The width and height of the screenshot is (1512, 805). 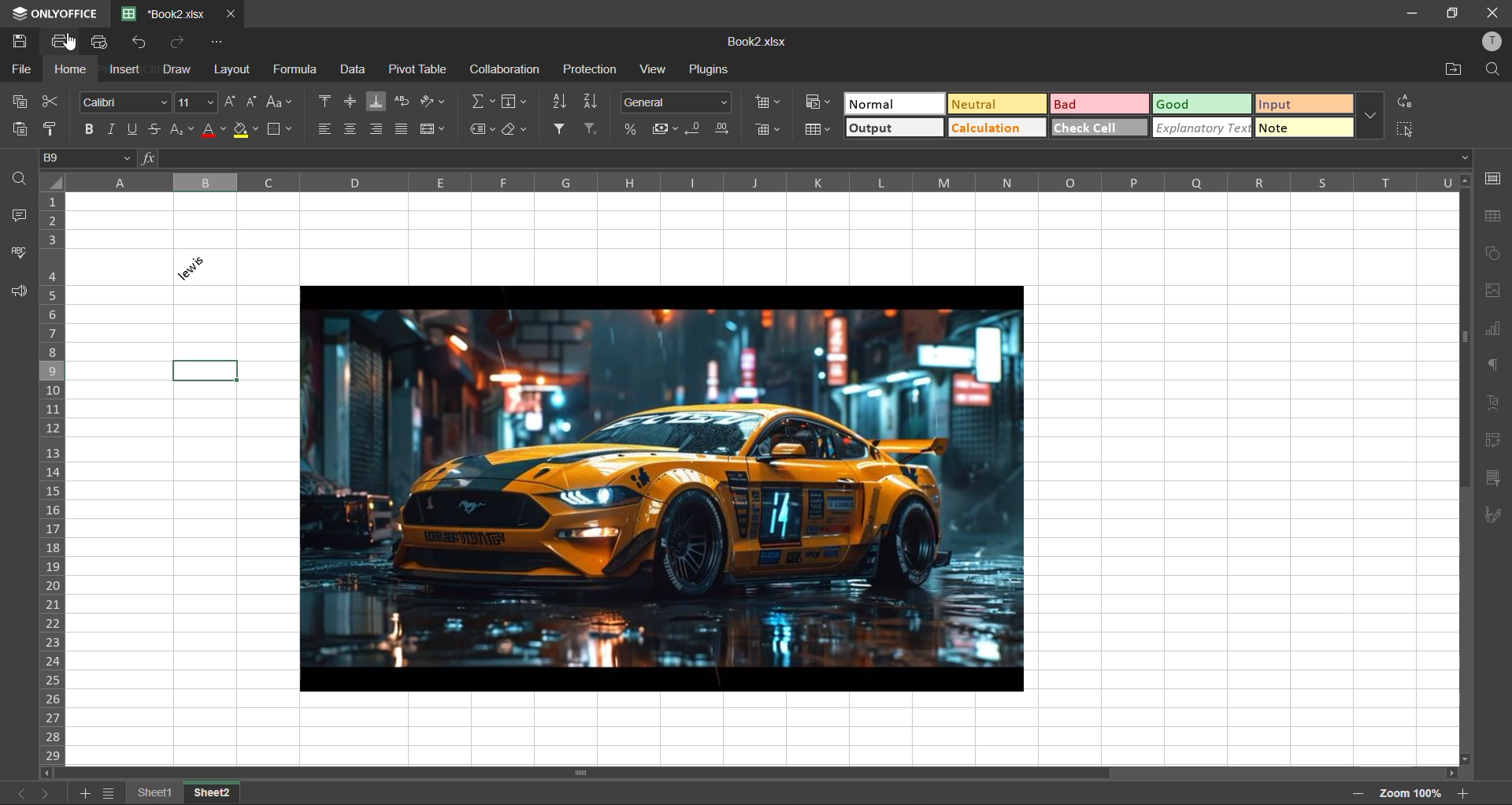 What do you see at coordinates (130, 129) in the screenshot?
I see `underline` at bounding box center [130, 129].